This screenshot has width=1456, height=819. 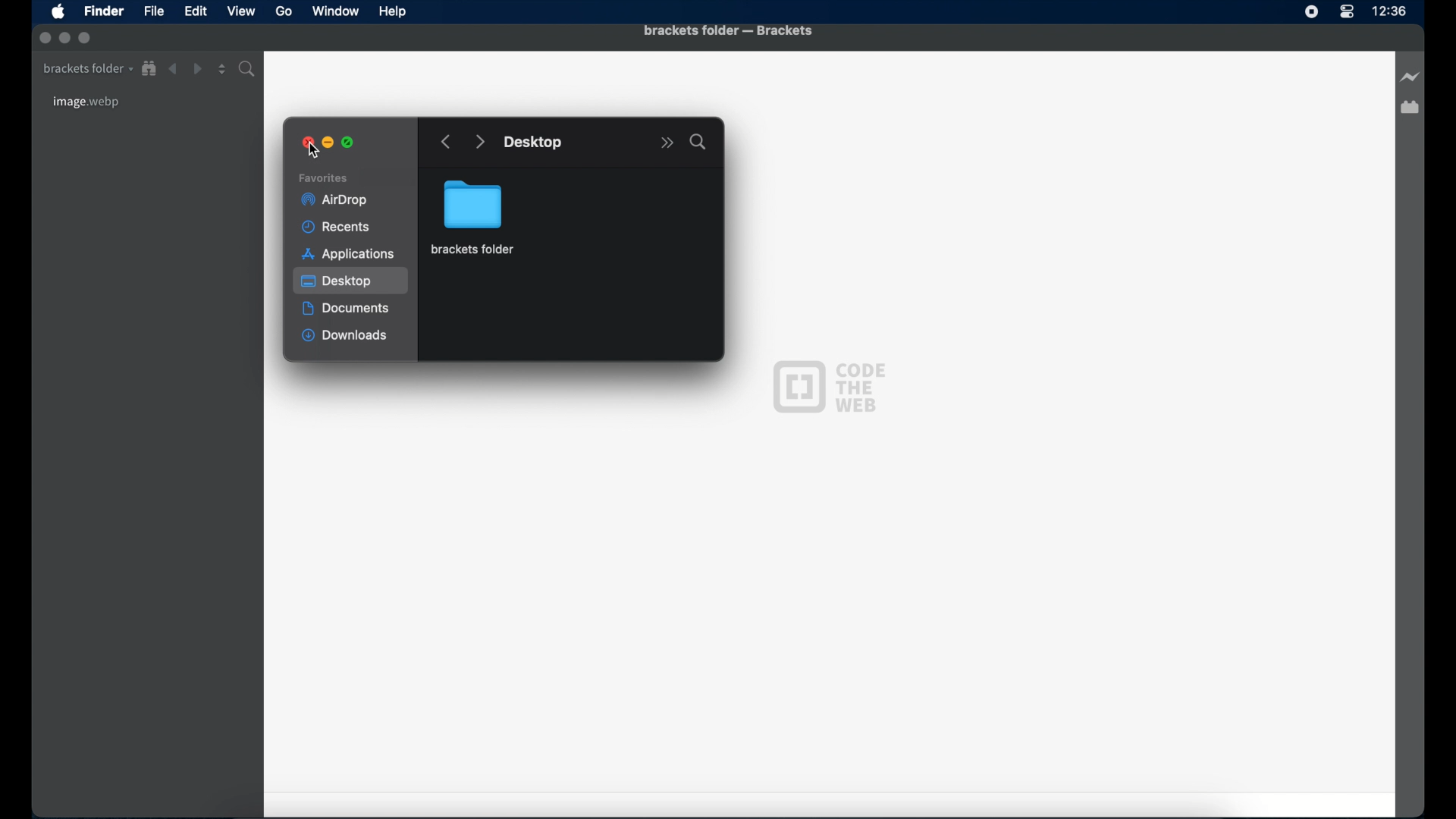 What do you see at coordinates (347, 309) in the screenshot?
I see `documents` at bounding box center [347, 309].